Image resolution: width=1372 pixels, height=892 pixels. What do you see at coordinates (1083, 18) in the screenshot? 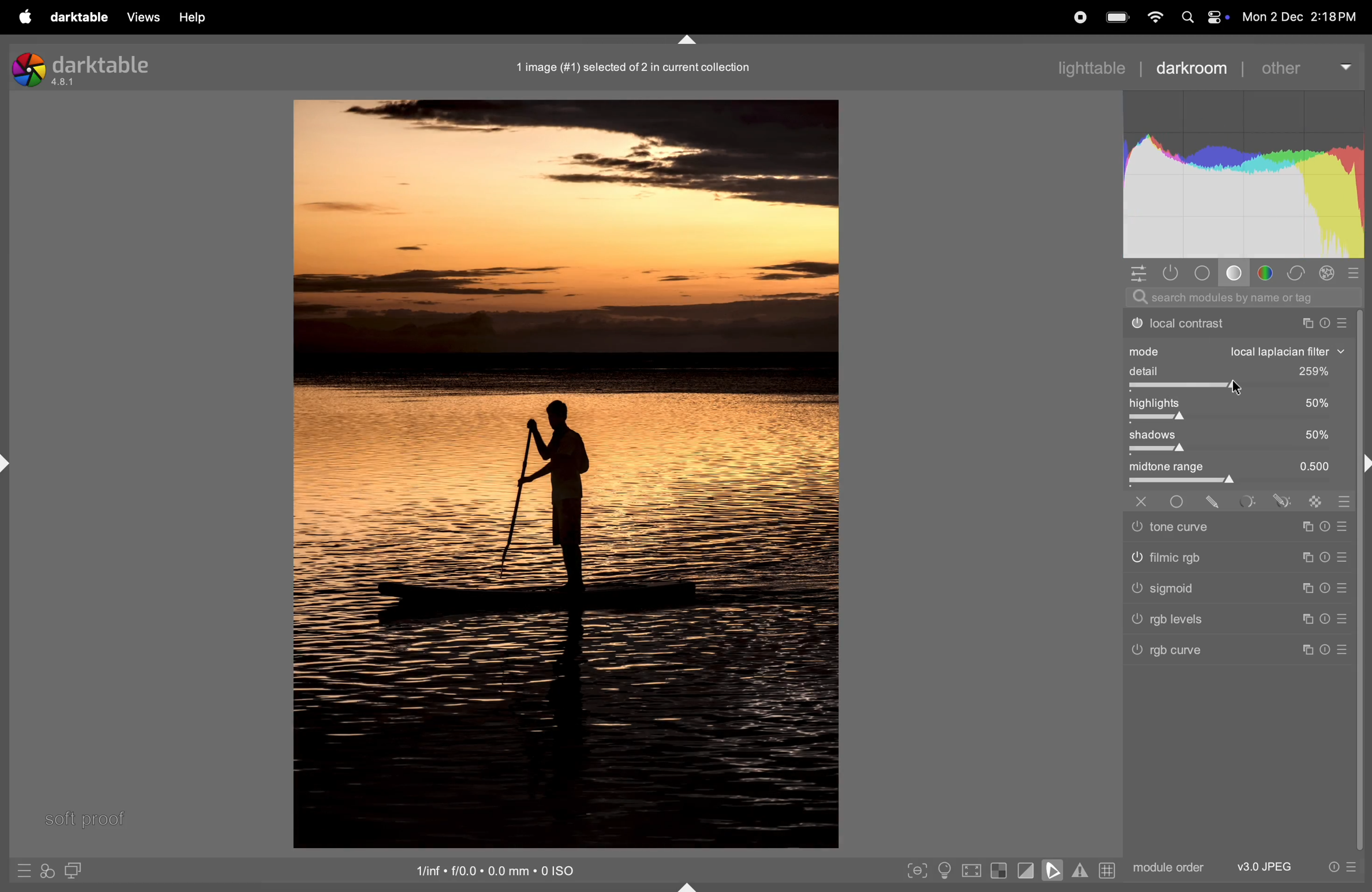
I see `record` at bounding box center [1083, 18].